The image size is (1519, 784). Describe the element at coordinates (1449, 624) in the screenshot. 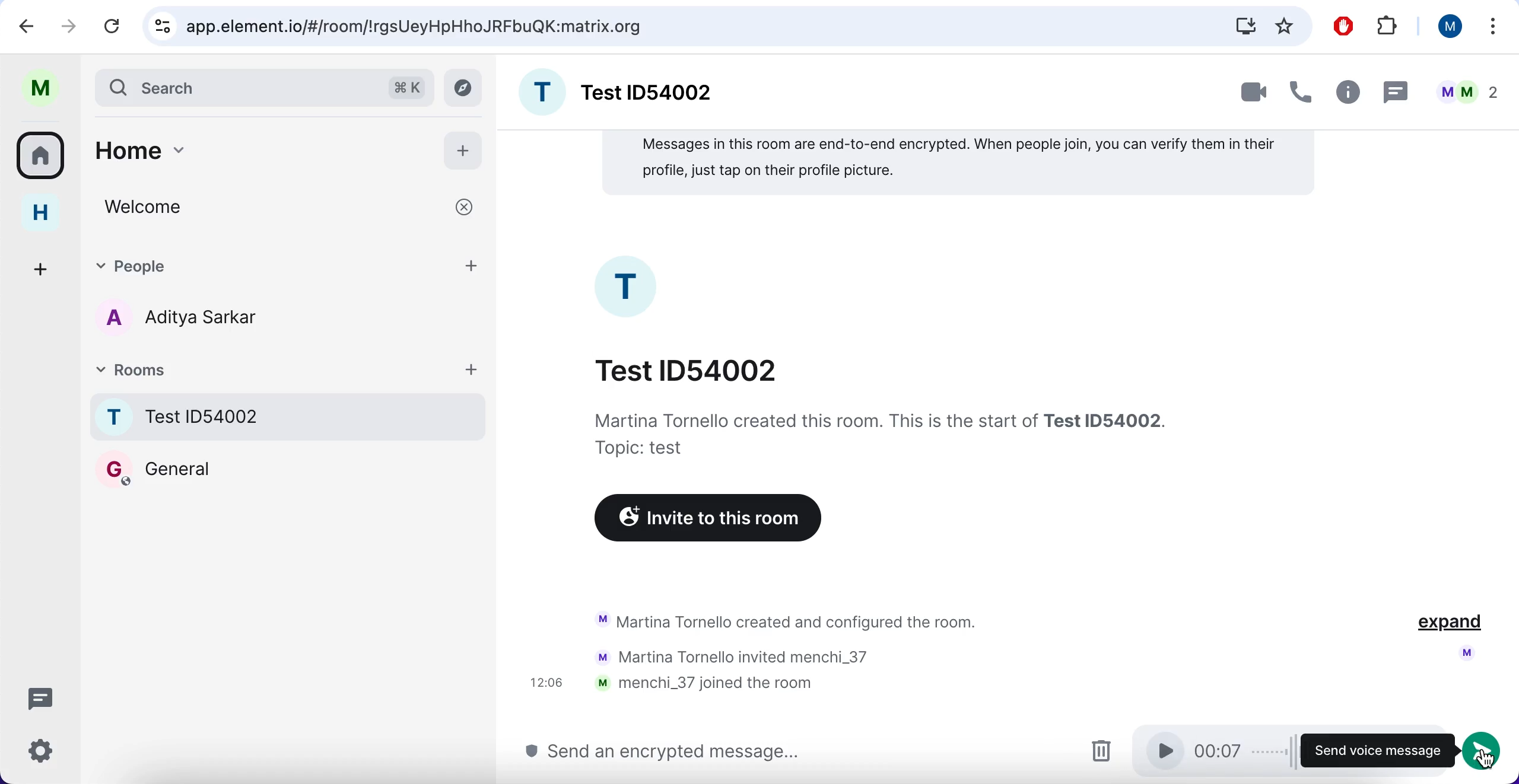

I see `expand` at that location.